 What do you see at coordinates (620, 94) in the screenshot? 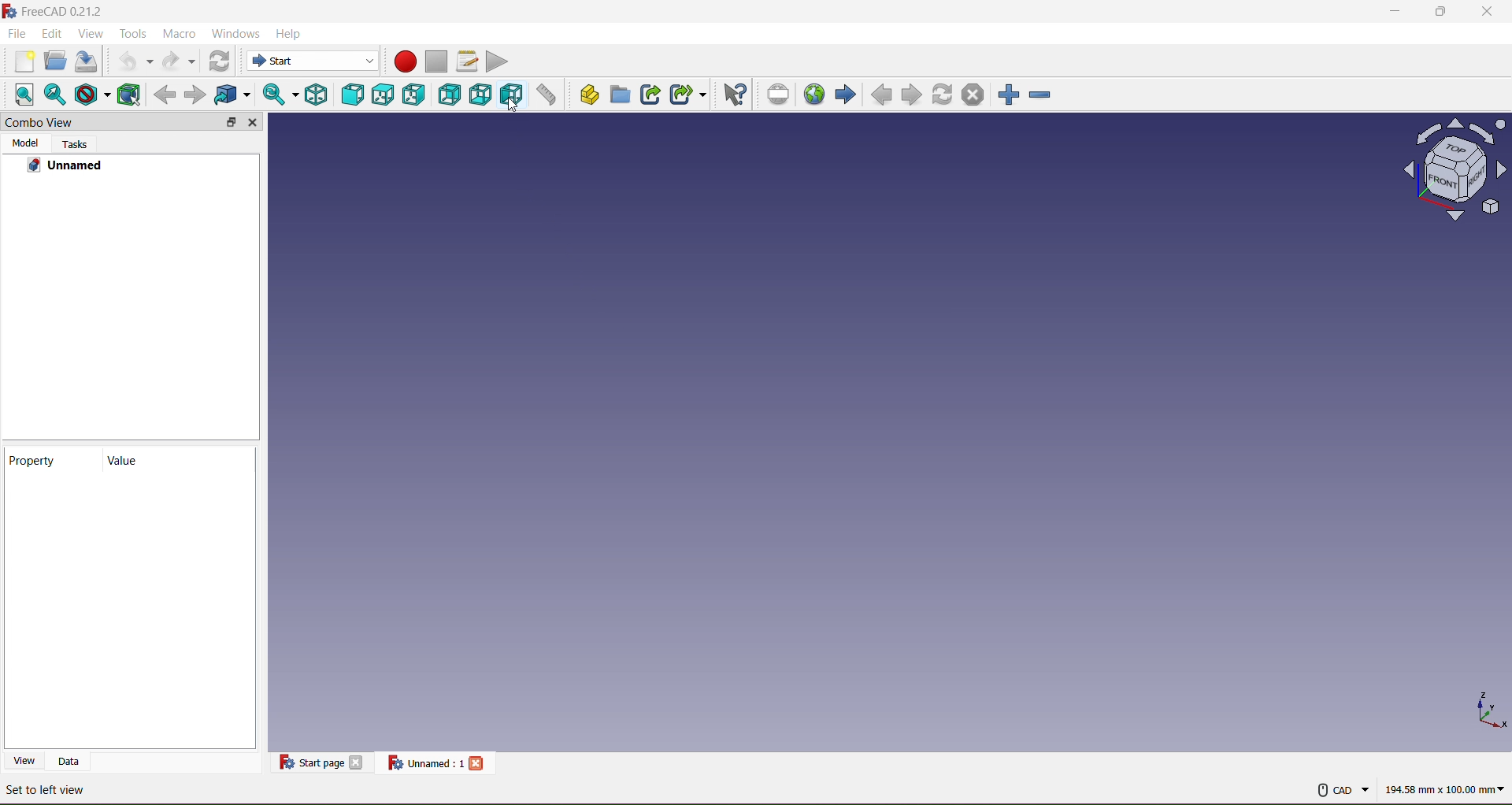
I see `Create Group` at bounding box center [620, 94].